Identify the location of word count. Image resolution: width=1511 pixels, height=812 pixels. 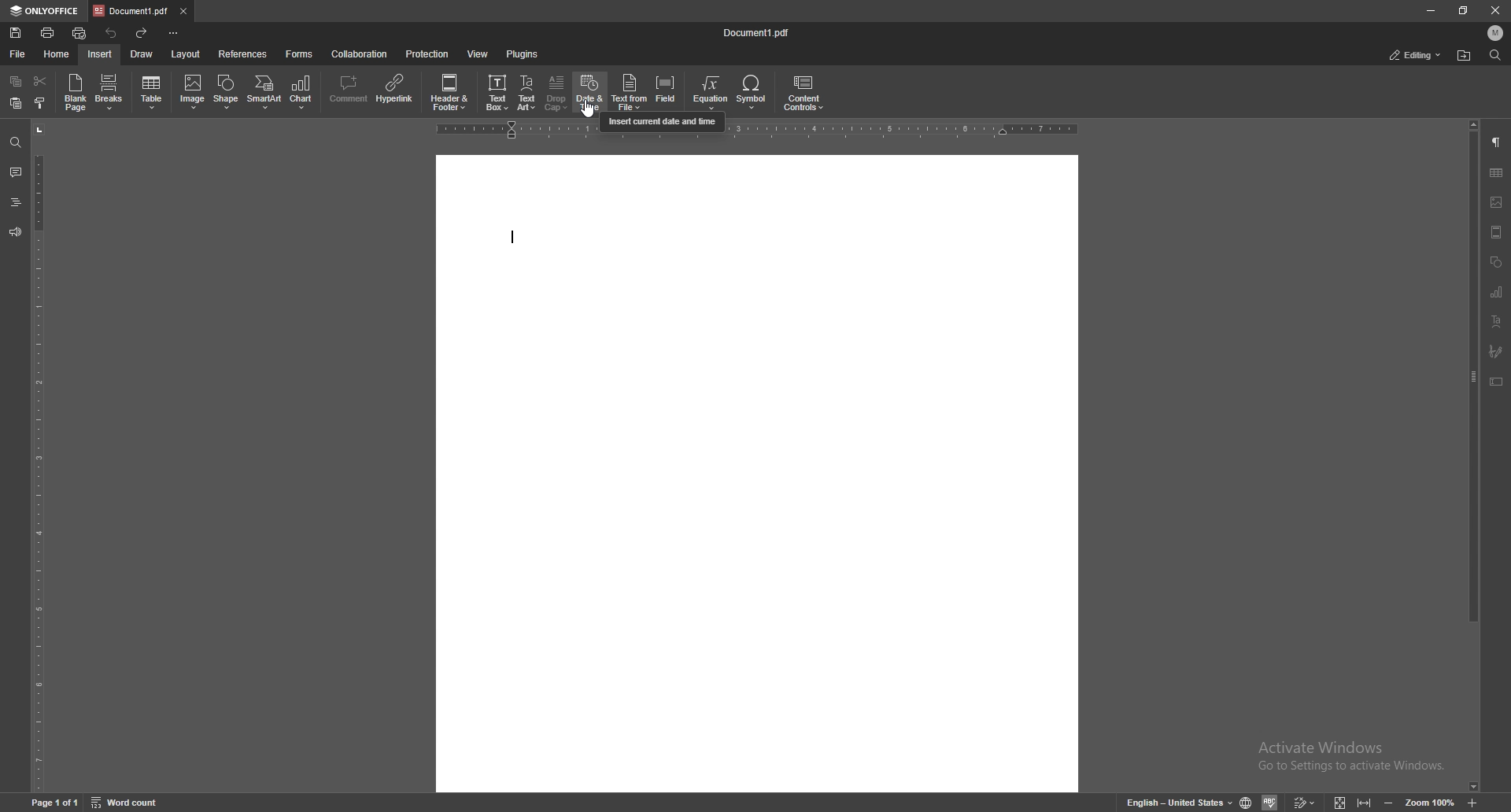
(127, 803).